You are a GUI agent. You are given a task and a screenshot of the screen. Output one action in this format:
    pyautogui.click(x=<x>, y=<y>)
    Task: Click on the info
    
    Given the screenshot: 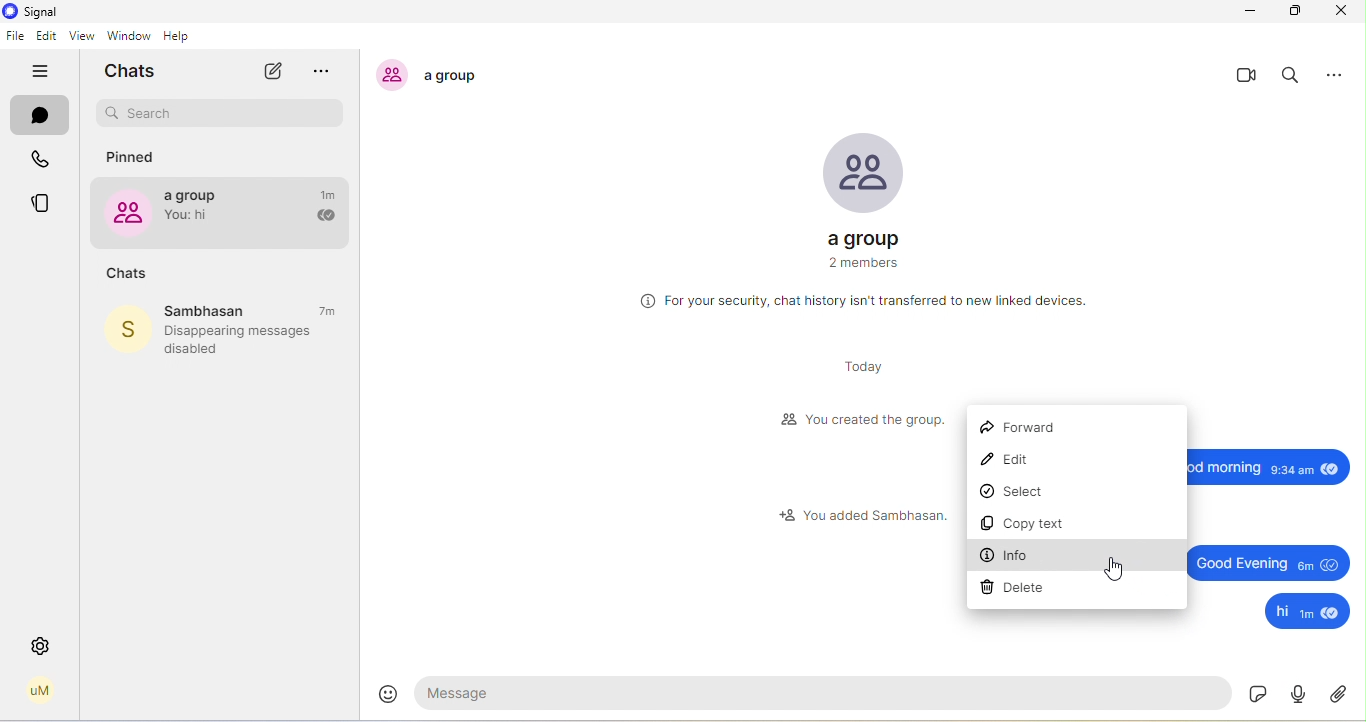 What is the action you would take?
    pyautogui.click(x=1008, y=556)
    